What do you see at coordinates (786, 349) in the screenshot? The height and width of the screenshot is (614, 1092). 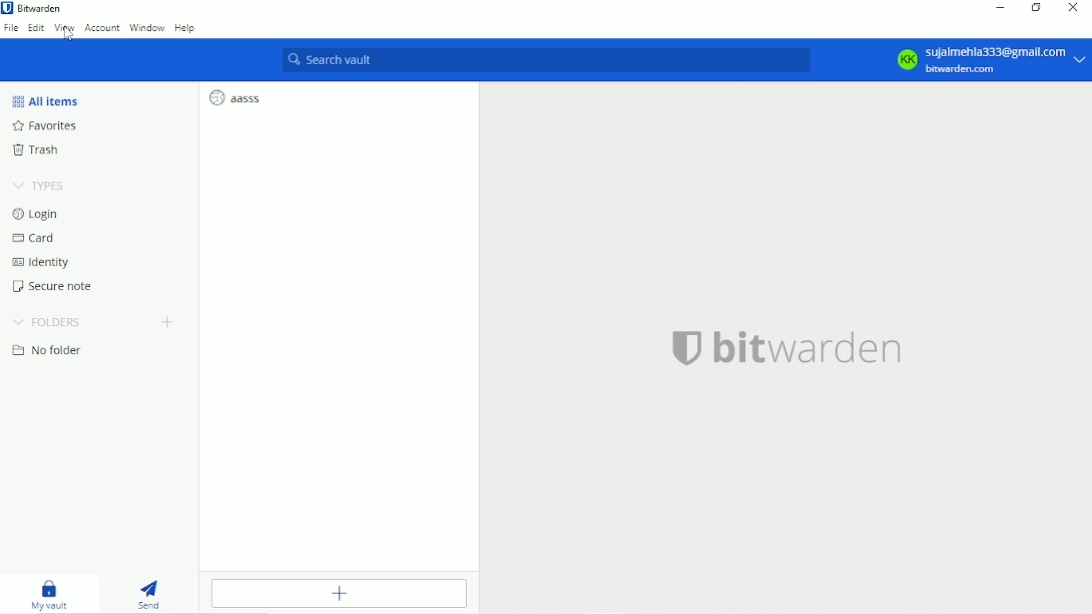 I see `bitwarden` at bounding box center [786, 349].